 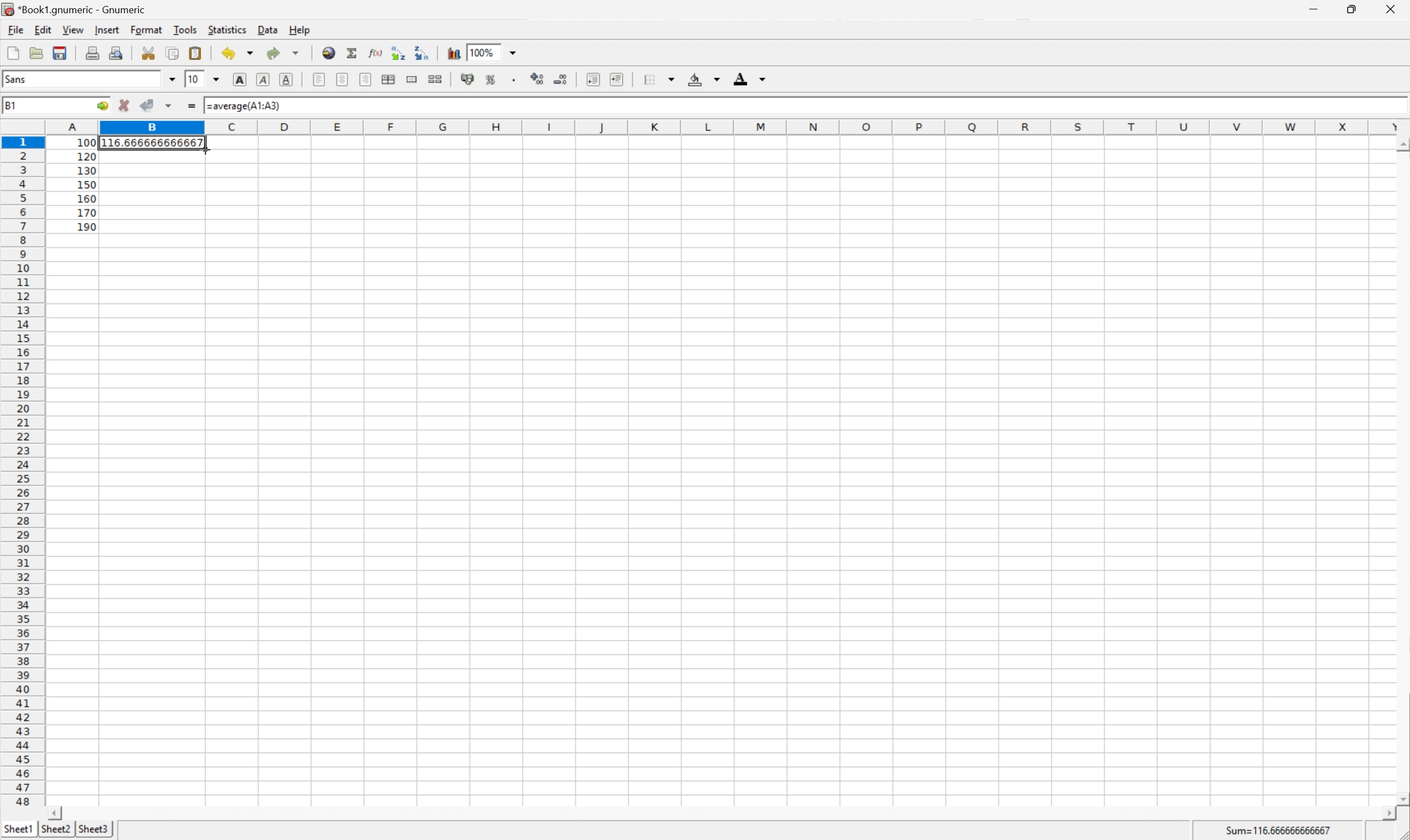 What do you see at coordinates (267, 28) in the screenshot?
I see `Data` at bounding box center [267, 28].